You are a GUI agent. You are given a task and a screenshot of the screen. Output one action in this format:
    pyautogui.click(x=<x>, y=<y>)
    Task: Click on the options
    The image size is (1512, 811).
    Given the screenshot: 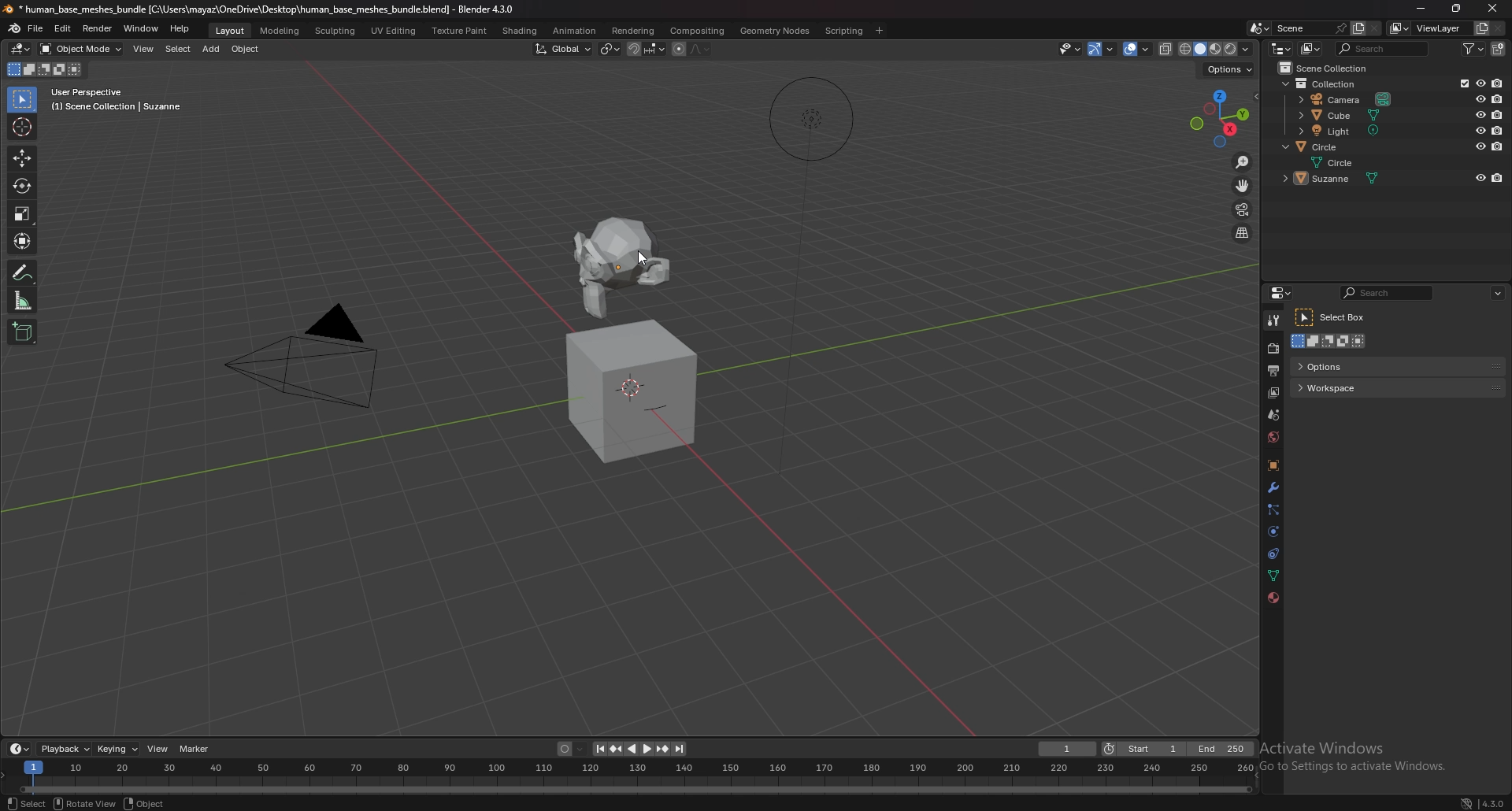 What is the action you would take?
    pyautogui.click(x=1354, y=365)
    